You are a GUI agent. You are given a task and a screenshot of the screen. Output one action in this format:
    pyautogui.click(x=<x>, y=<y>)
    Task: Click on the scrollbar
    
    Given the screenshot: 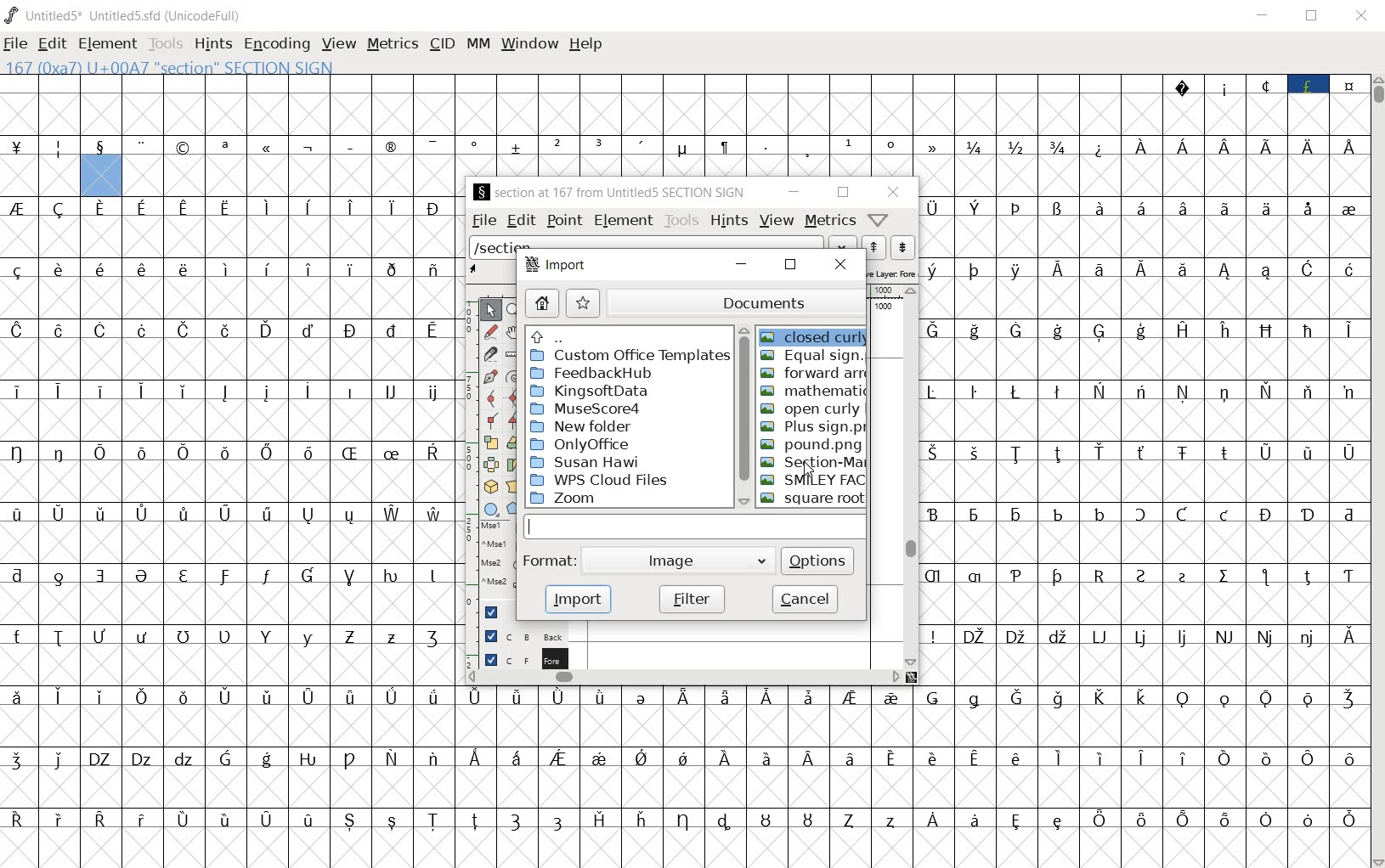 What is the action you would take?
    pyautogui.click(x=679, y=679)
    